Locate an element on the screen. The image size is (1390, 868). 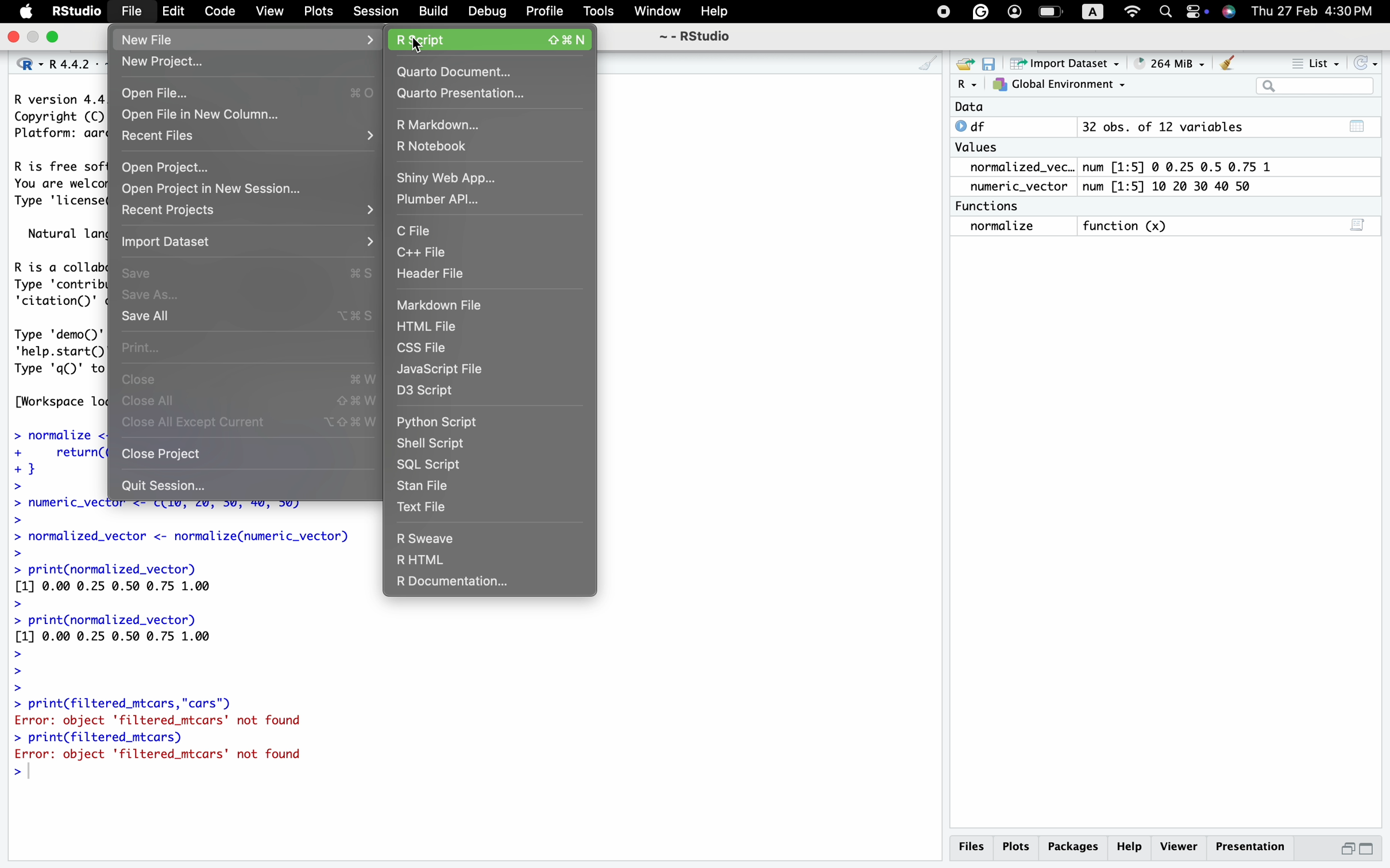
R documentation is located at coordinates (493, 586).